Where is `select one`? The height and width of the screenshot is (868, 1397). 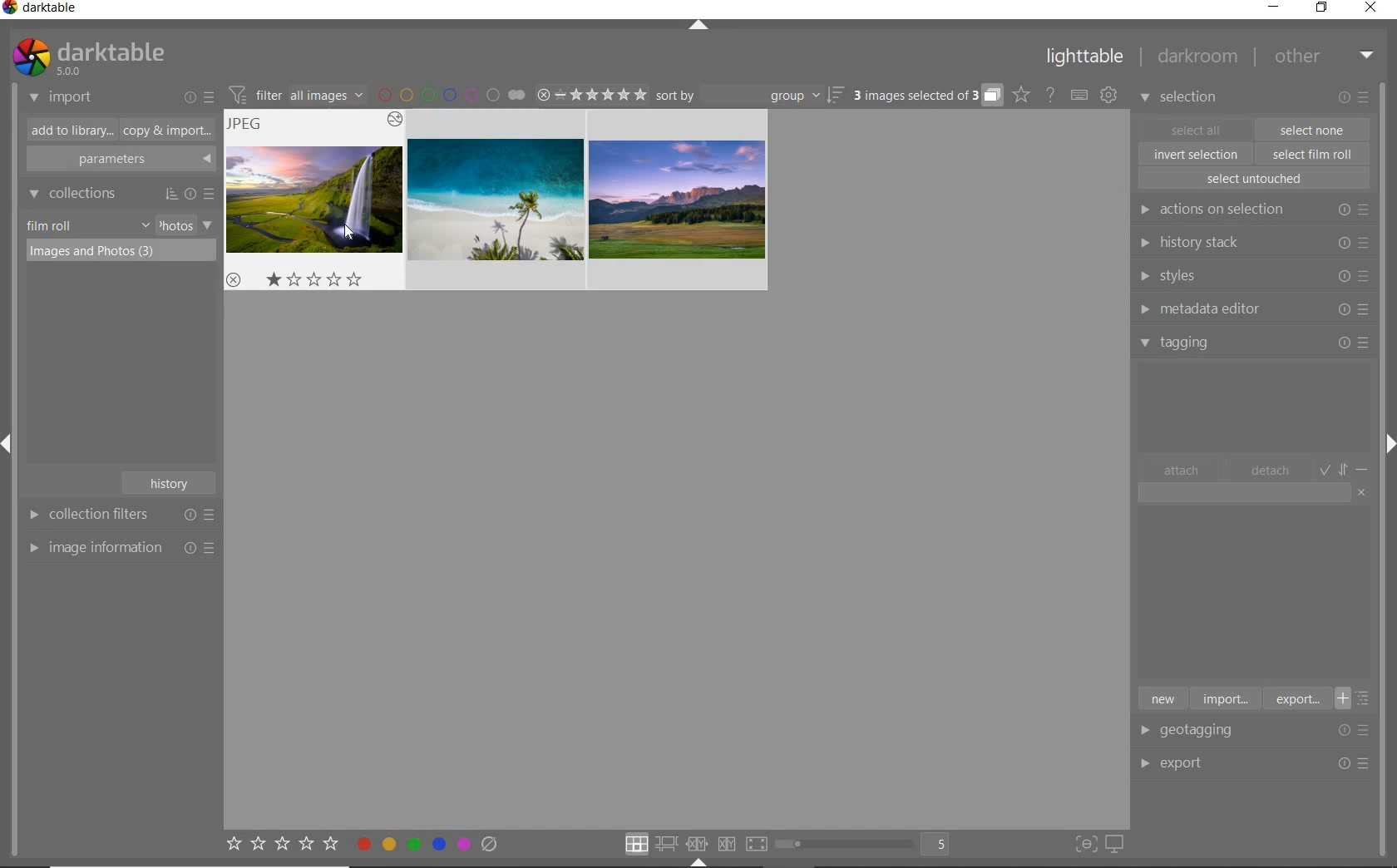
select one is located at coordinates (1312, 129).